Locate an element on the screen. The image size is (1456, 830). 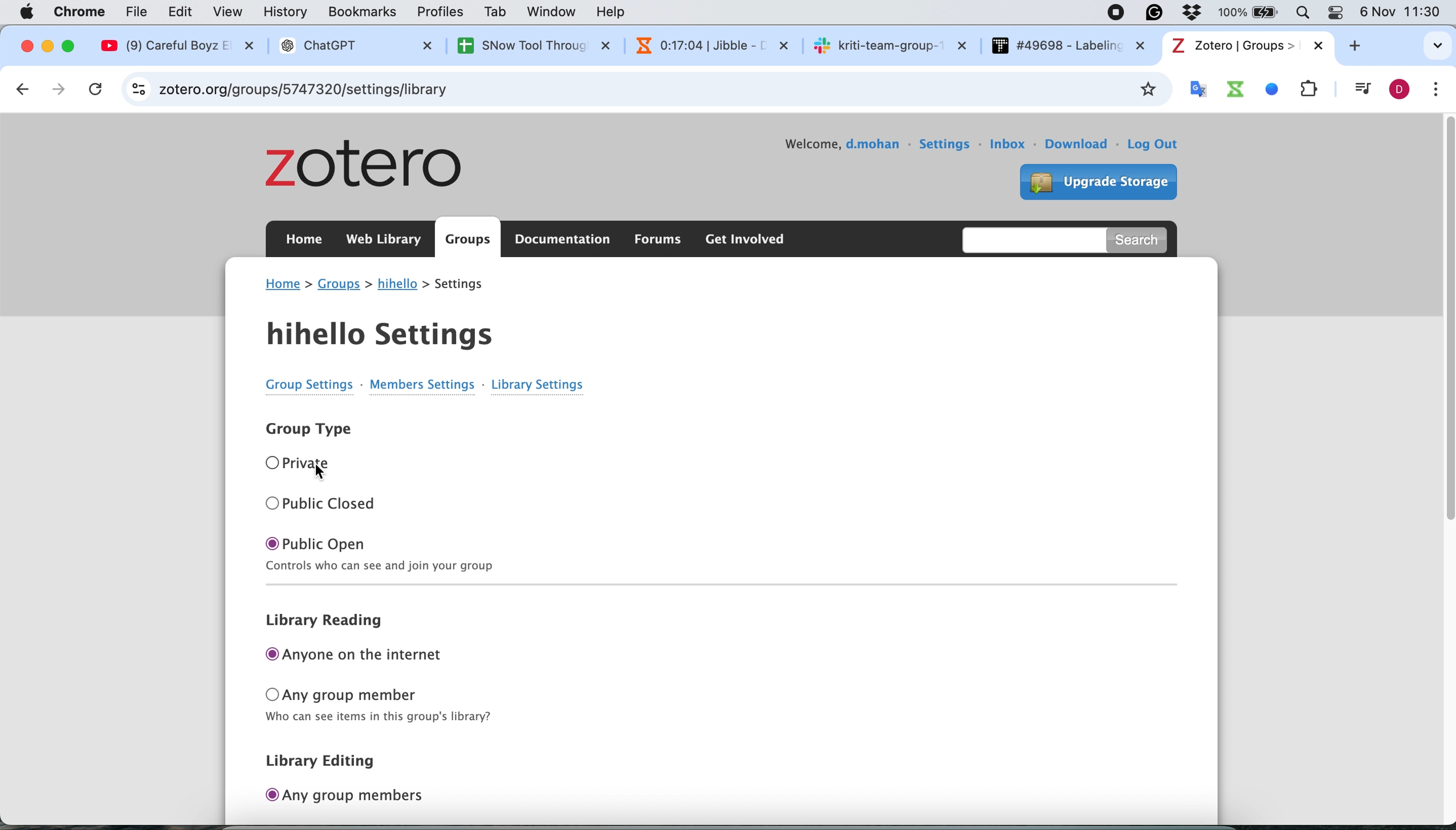
zotero.org/groups/5747320/hihello is located at coordinates (320, 90).